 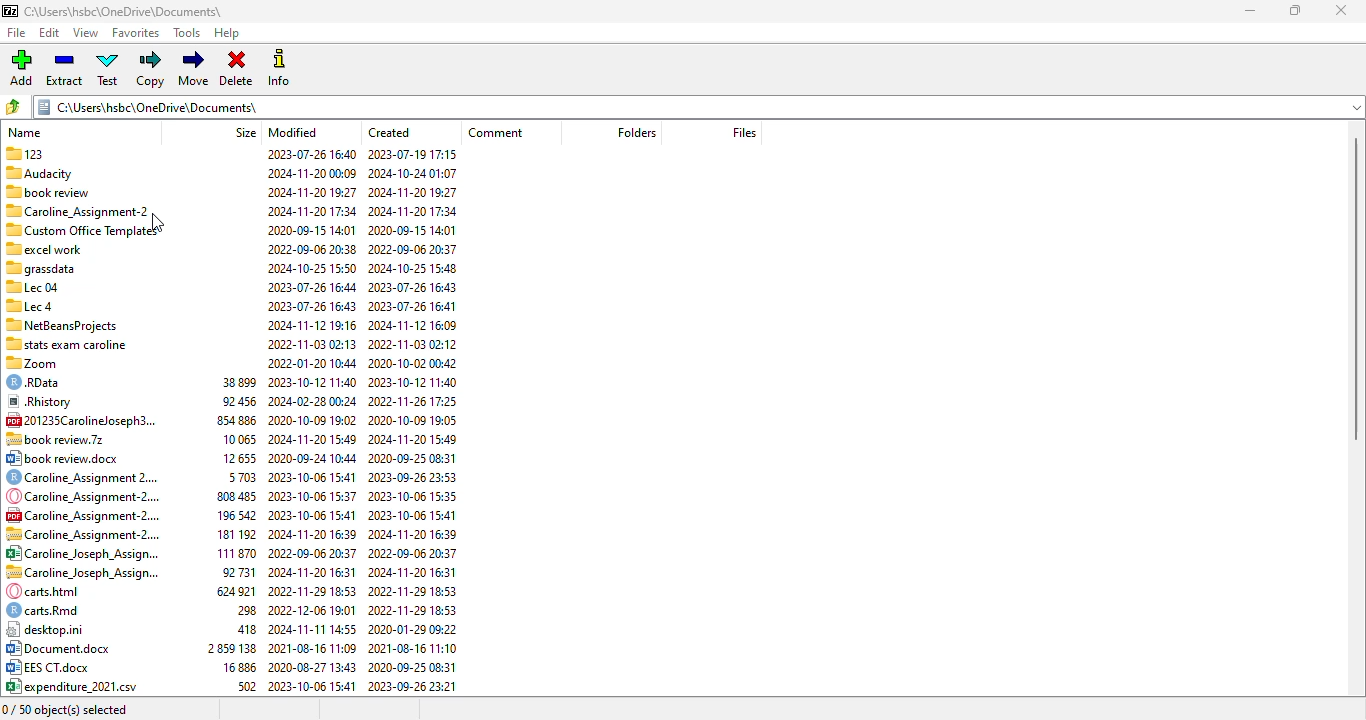 What do you see at coordinates (312, 477) in the screenshot?
I see `renin
2023-10-06 15:41` at bounding box center [312, 477].